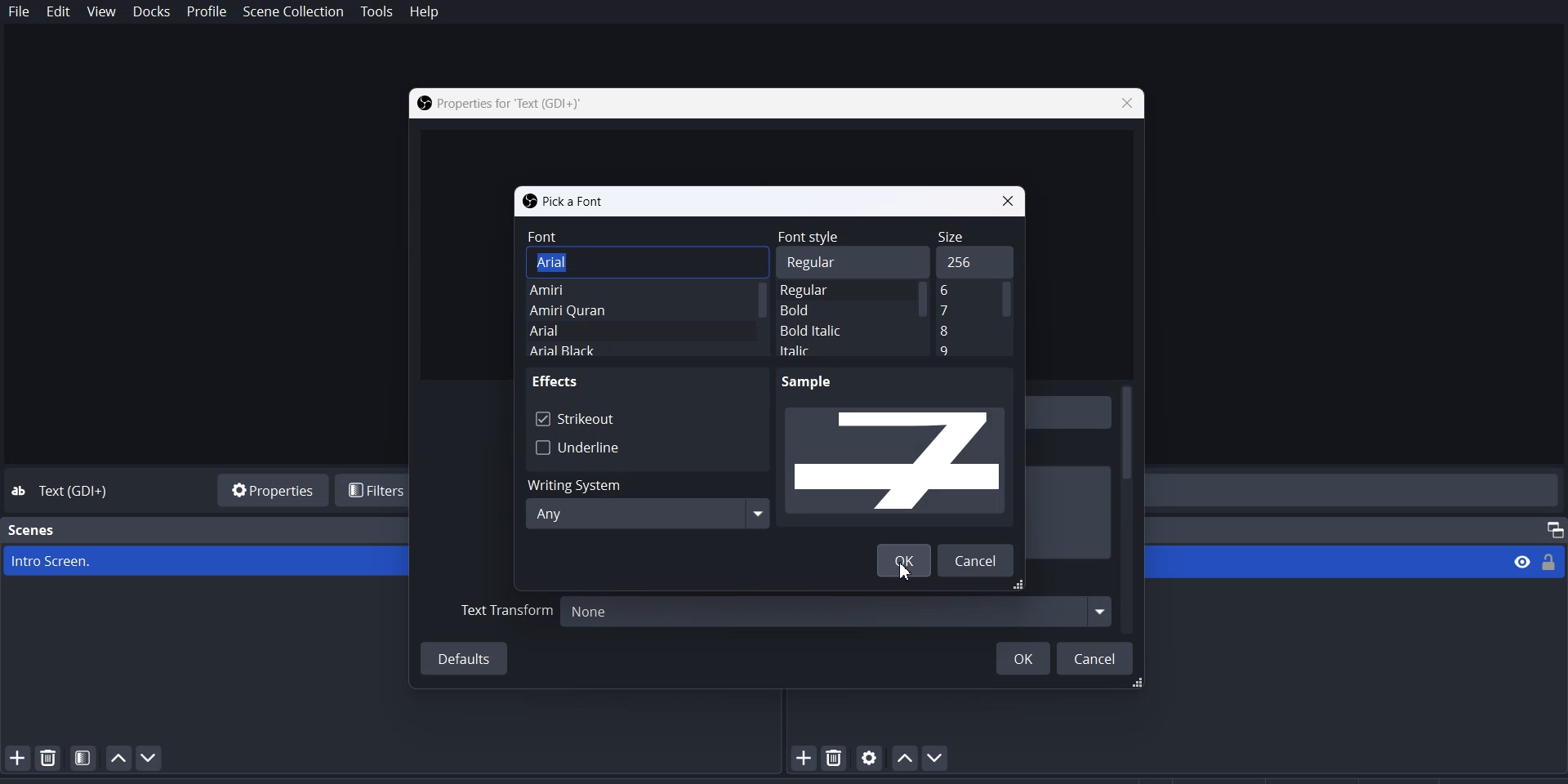 The image size is (1568, 784). I want to click on Edit, so click(59, 13).